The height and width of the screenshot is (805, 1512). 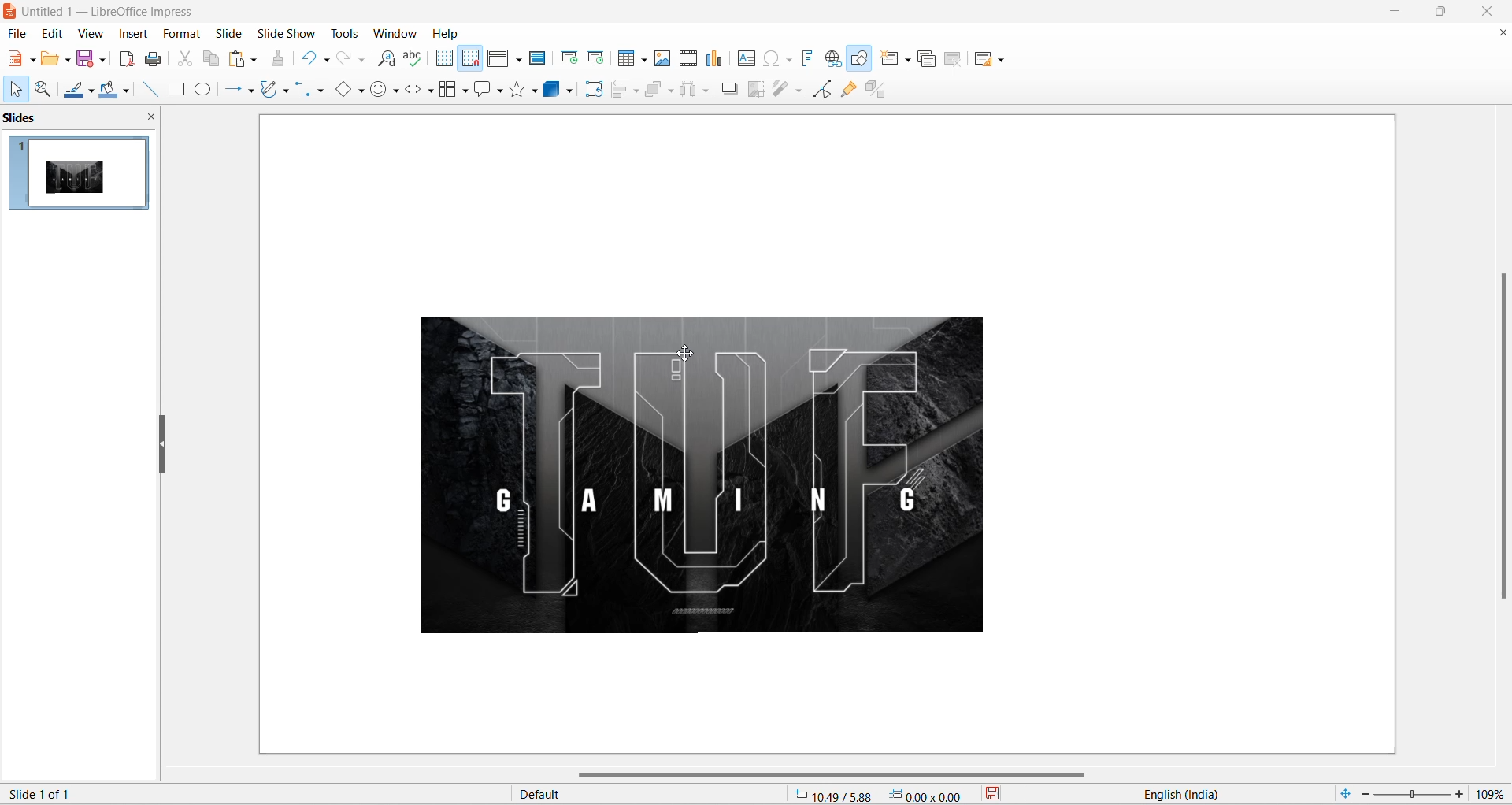 What do you see at coordinates (571, 58) in the screenshot?
I see `start at first slide` at bounding box center [571, 58].